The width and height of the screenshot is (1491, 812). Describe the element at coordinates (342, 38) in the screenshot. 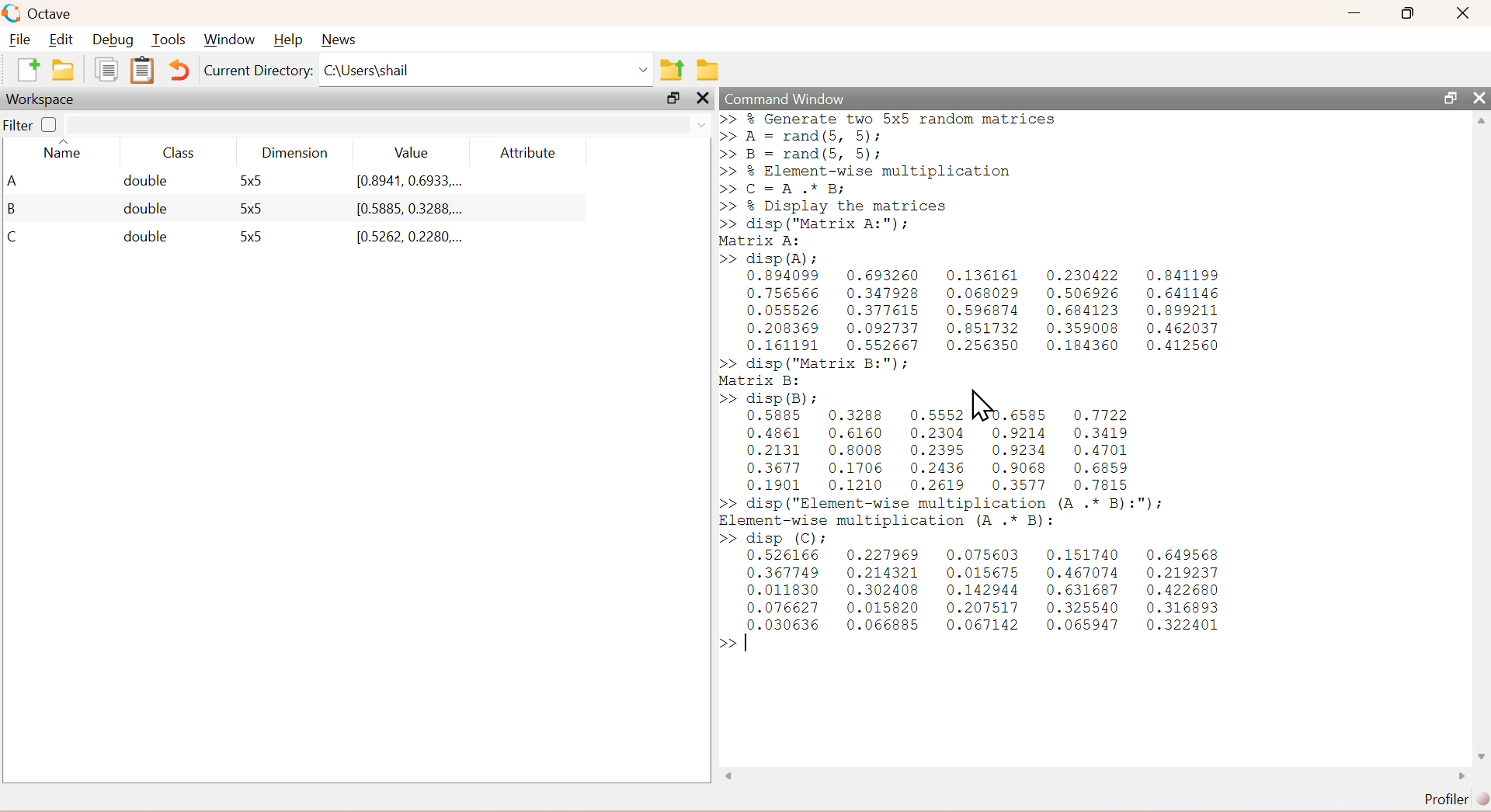

I see `News` at that location.